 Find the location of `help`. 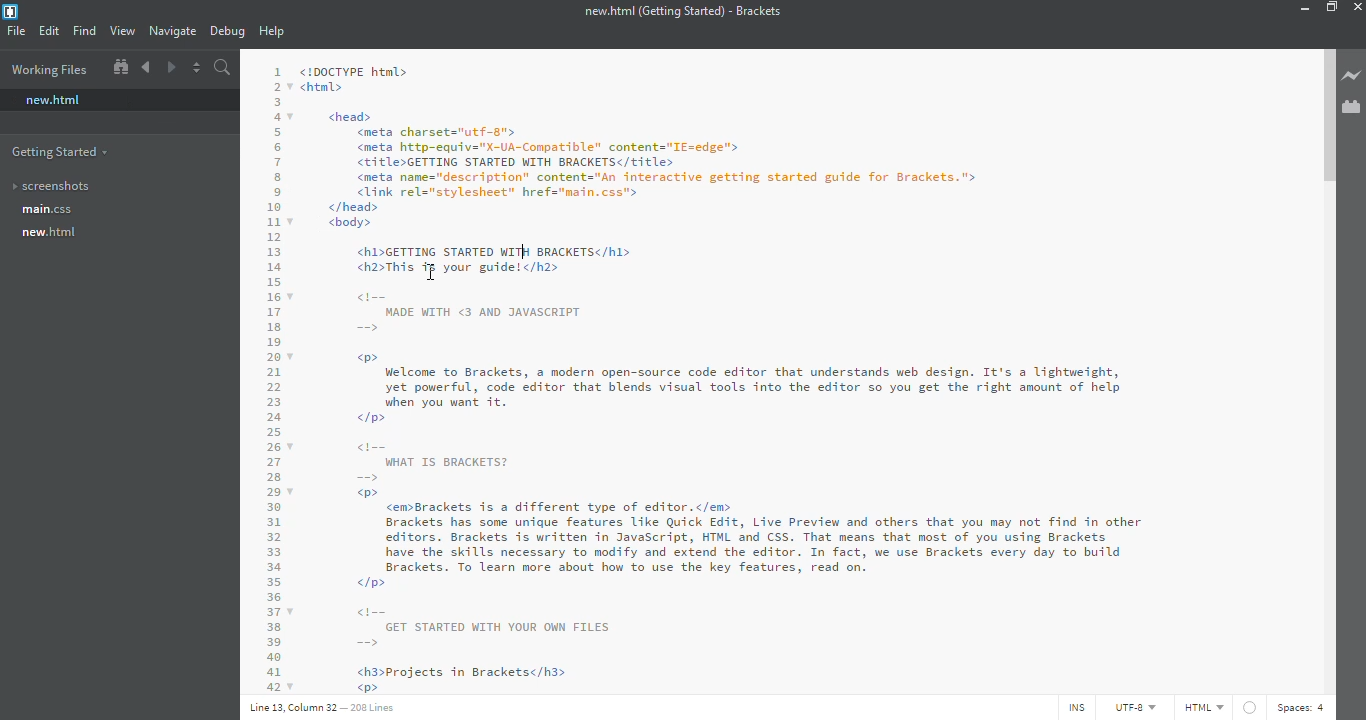

help is located at coordinates (271, 31).